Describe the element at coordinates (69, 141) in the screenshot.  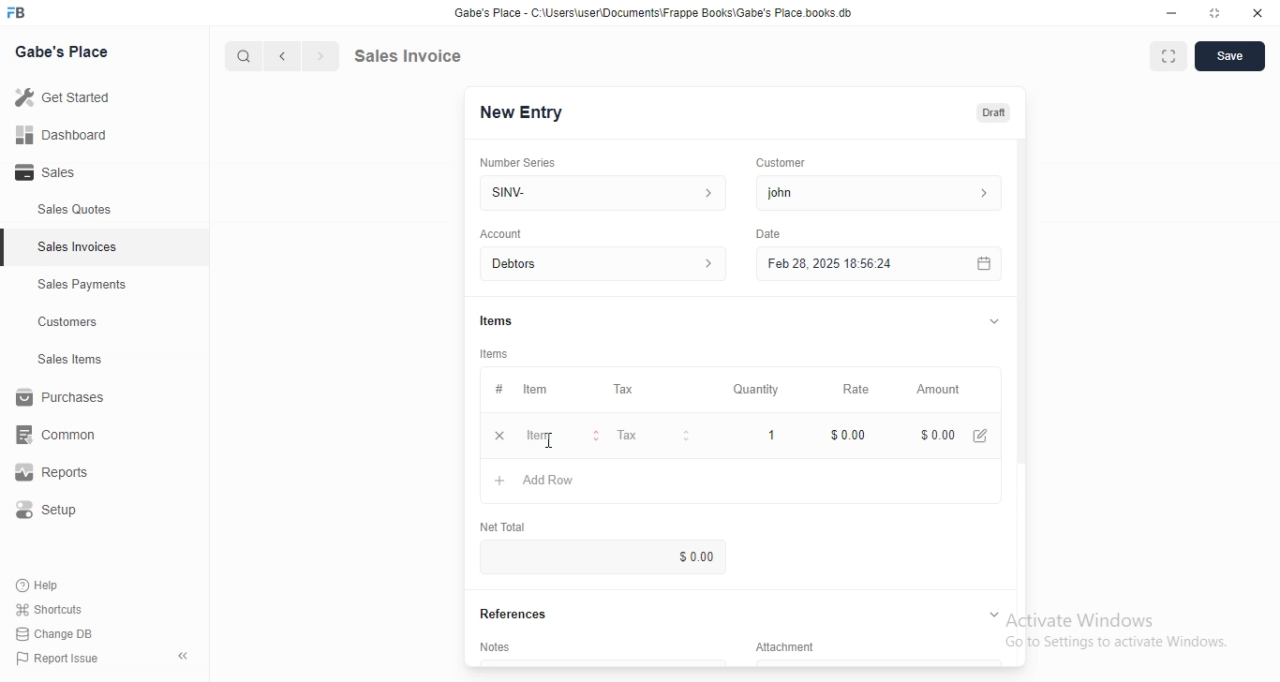
I see `all Dashboard` at that location.